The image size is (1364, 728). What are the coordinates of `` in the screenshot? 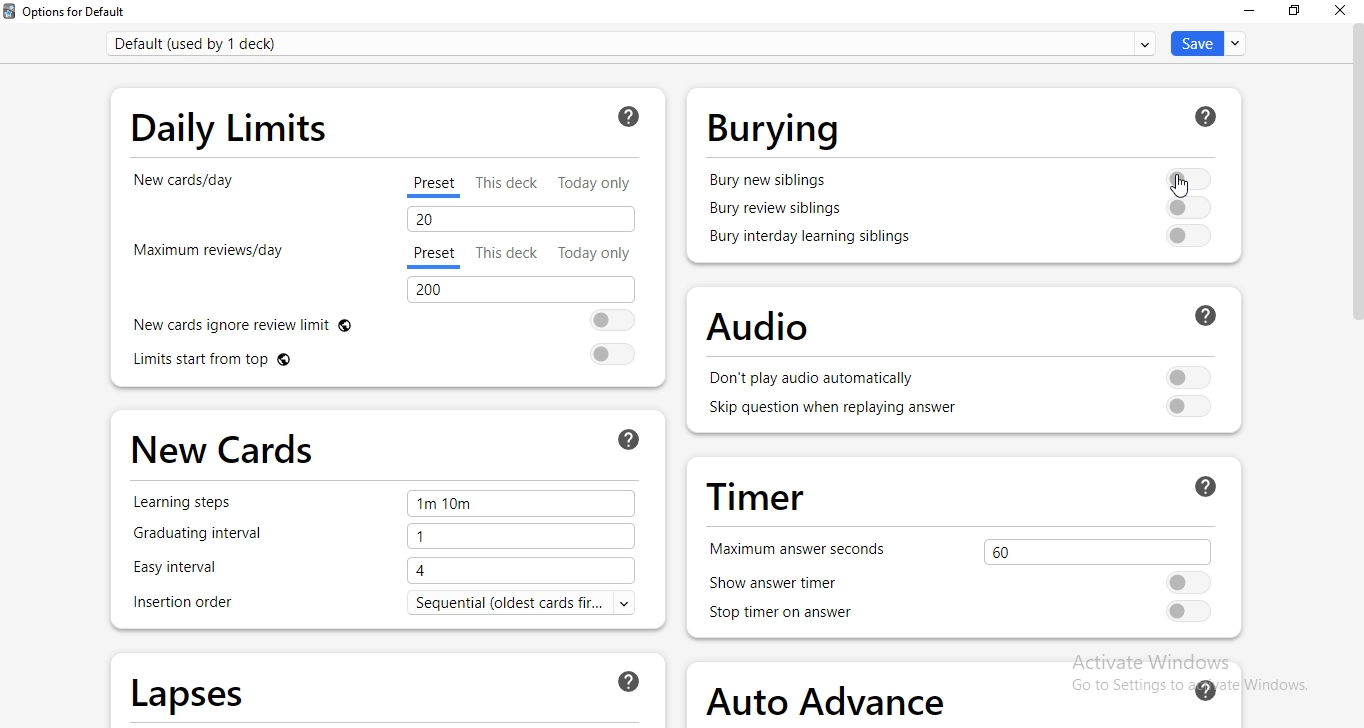 It's located at (1206, 485).